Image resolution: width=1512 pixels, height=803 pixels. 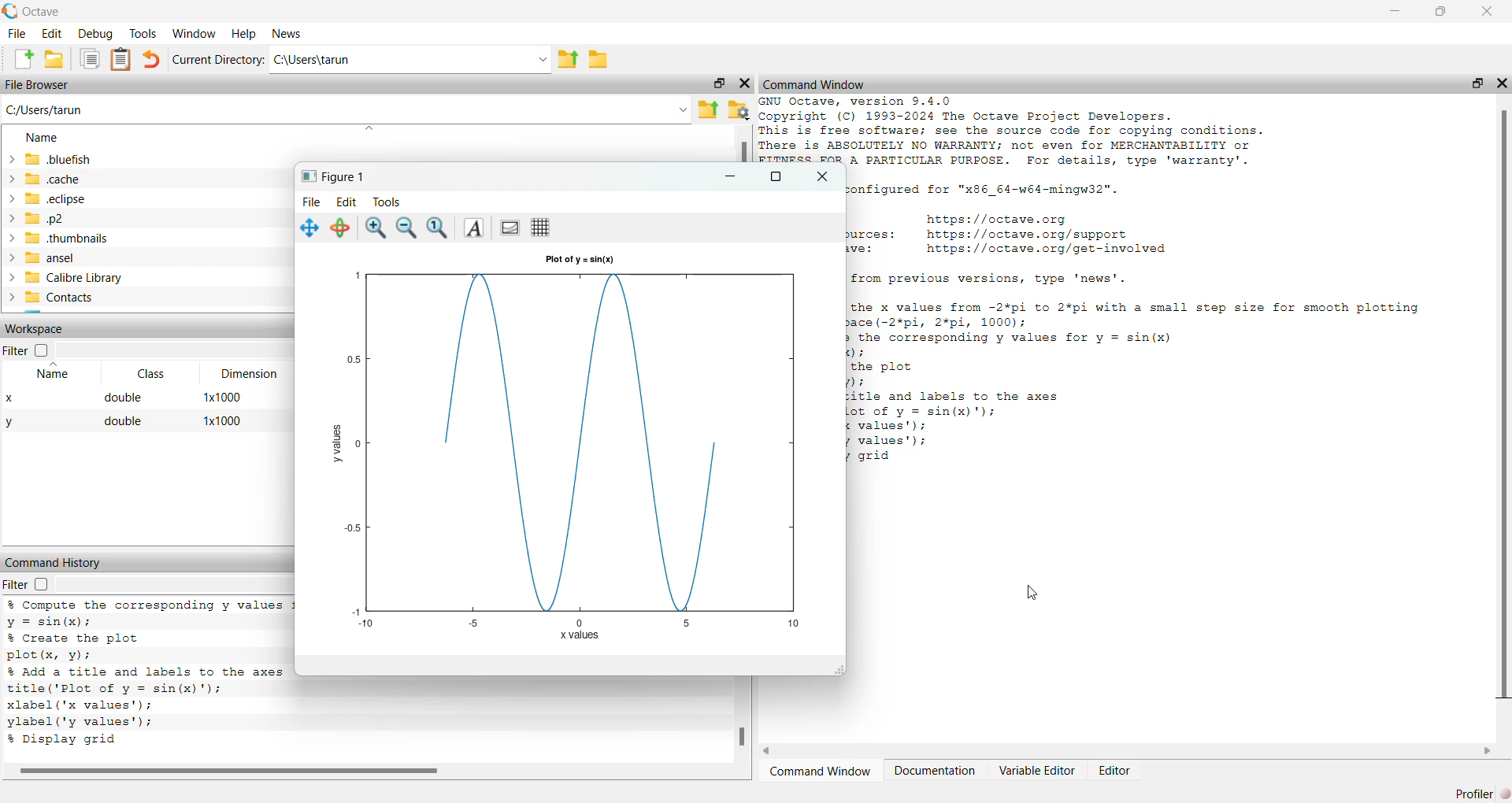 I want to click on resize, so click(x=1477, y=83).